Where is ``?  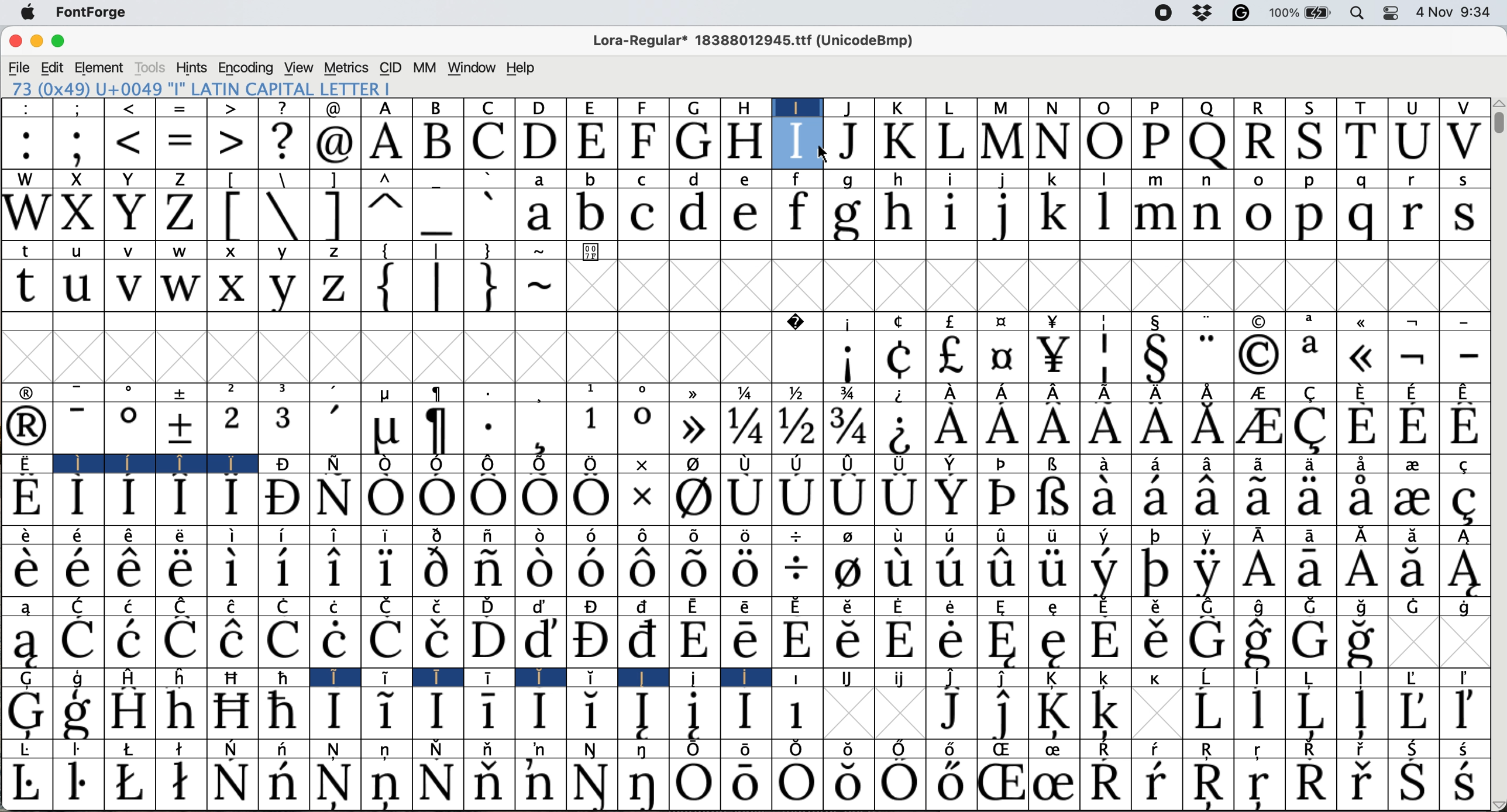  is located at coordinates (952, 607).